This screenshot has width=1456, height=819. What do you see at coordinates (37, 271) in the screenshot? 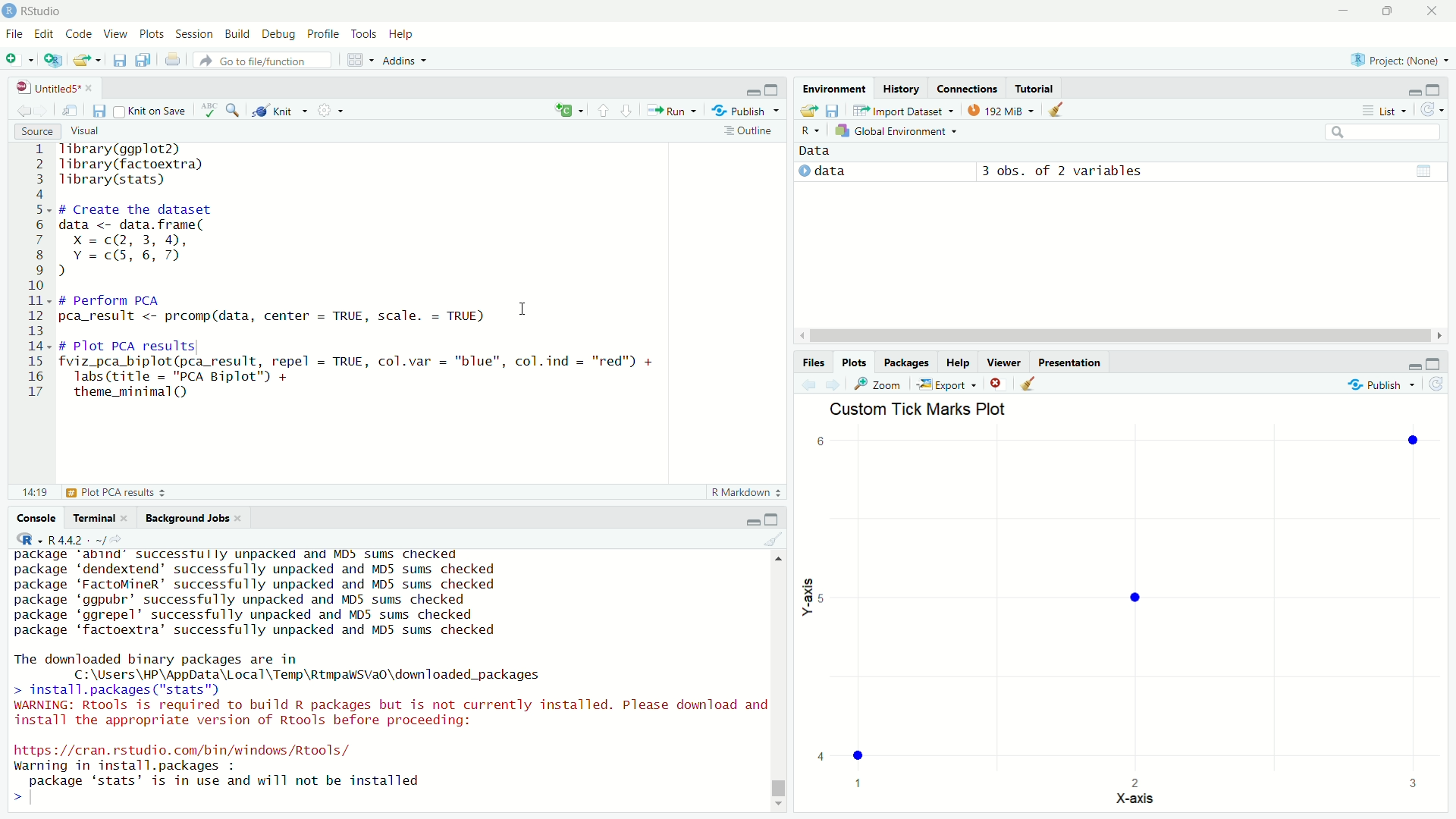
I see `line number` at bounding box center [37, 271].